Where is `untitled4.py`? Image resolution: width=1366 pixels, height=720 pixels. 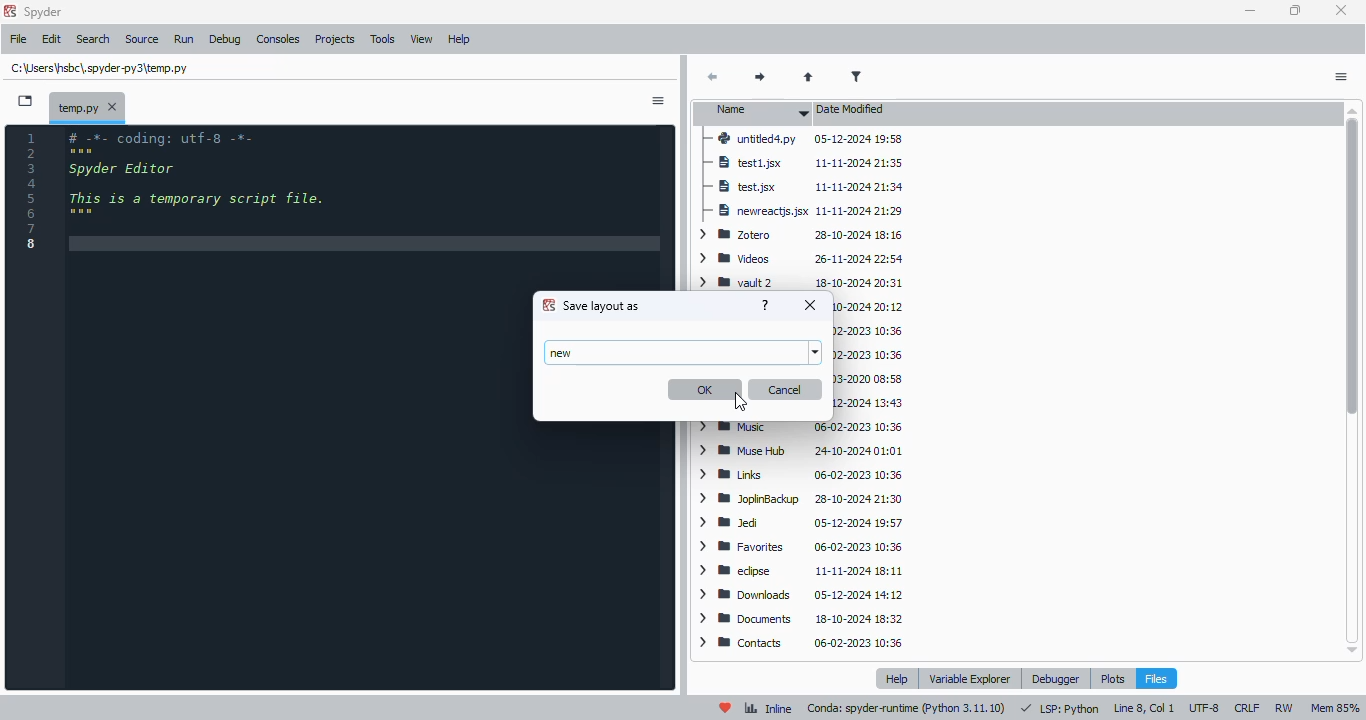 untitled4.py is located at coordinates (800, 140).